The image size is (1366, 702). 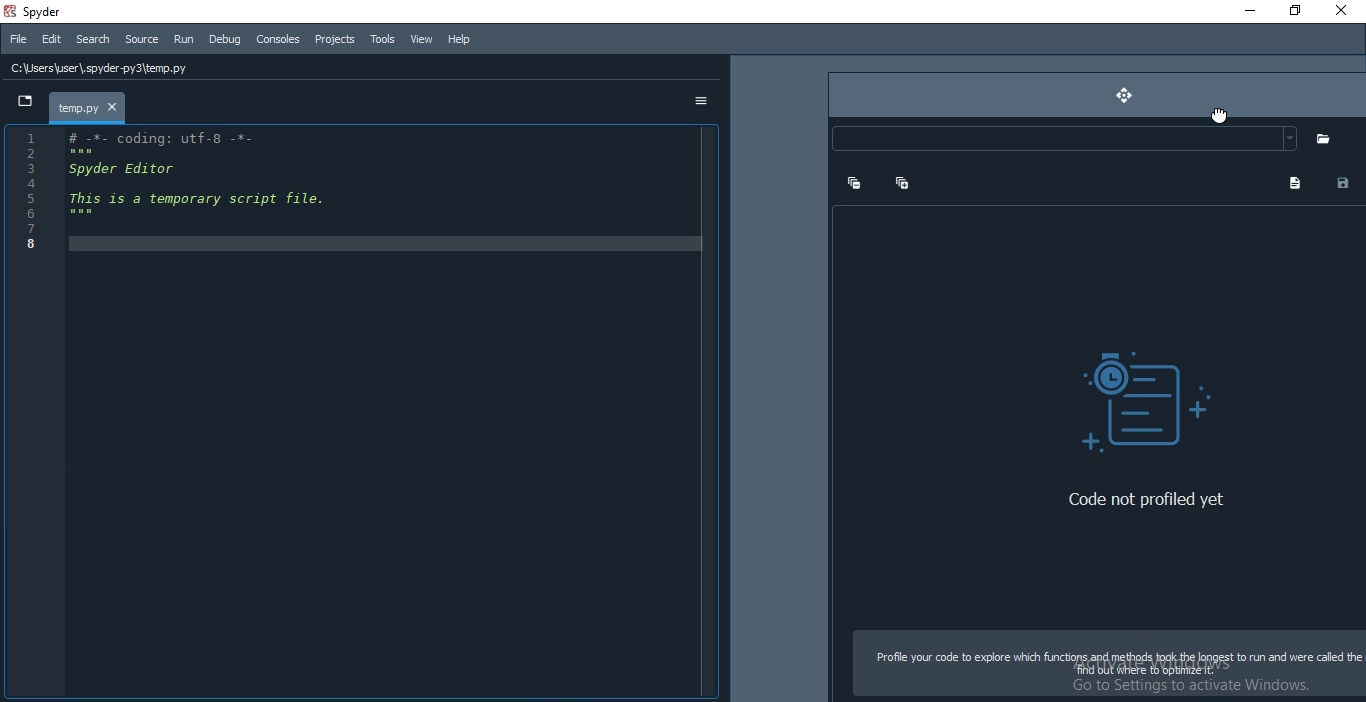 What do you see at coordinates (1324, 140) in the screenshot?
I see `folders` at bounding box center [1324, 140].